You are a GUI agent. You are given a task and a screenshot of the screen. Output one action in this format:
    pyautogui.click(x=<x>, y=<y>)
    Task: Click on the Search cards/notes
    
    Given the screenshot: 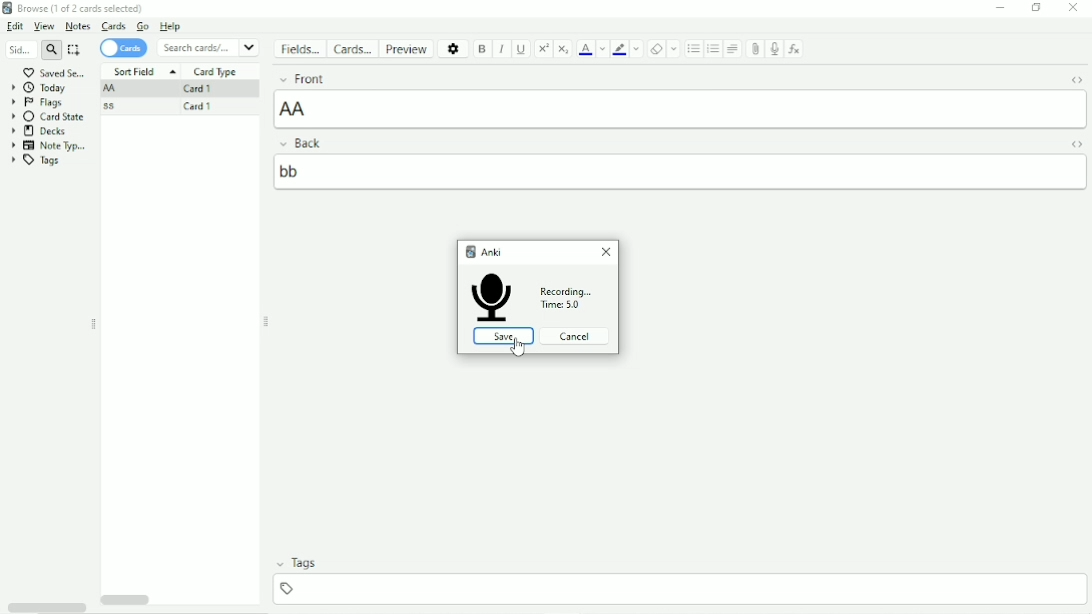 What is the action you would take?
    pyautogui.click(x=208, y=47)
    